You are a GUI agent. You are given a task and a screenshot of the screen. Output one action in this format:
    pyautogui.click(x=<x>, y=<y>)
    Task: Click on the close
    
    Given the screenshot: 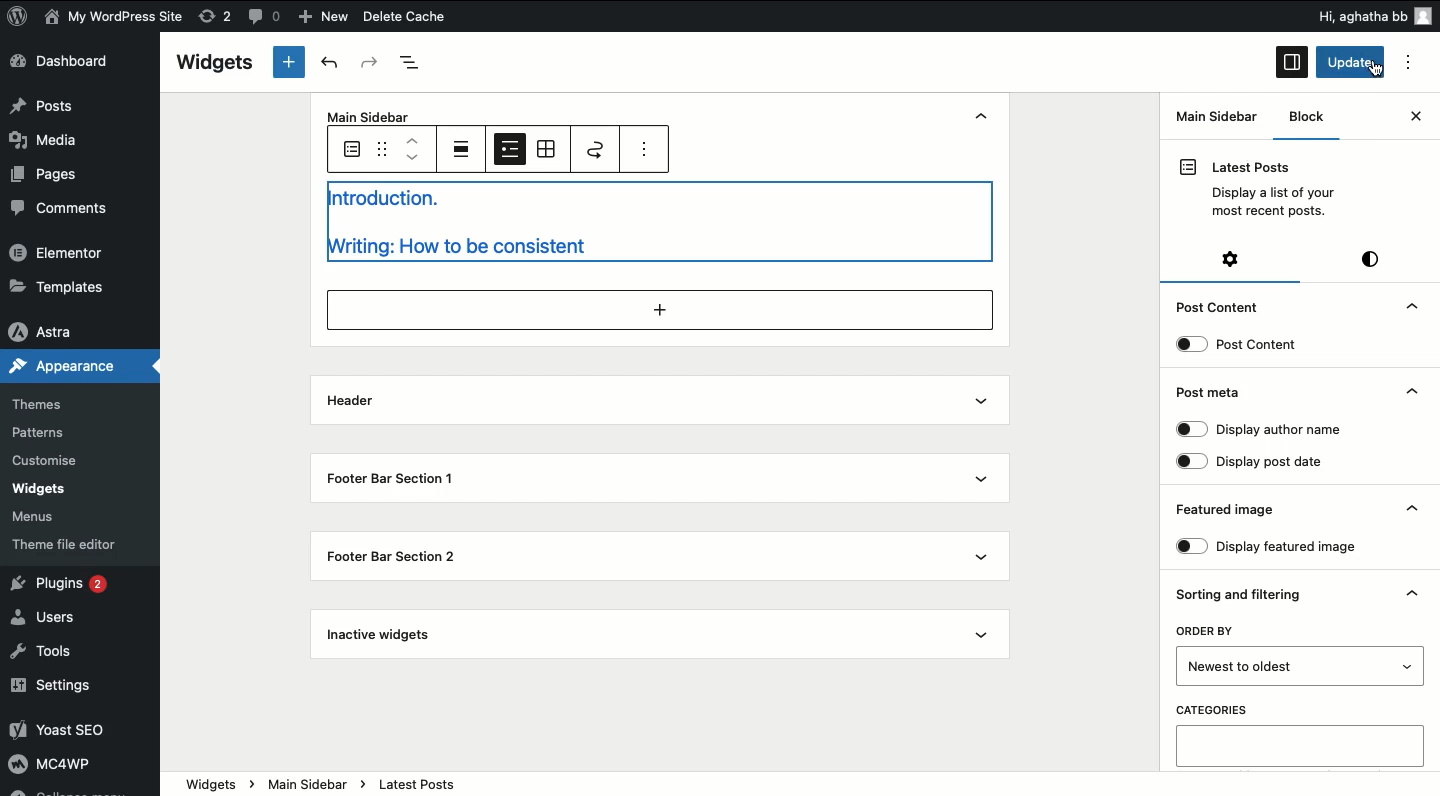 What is the action you would take?
    pyautogui.click(x=1419, y=114)
    